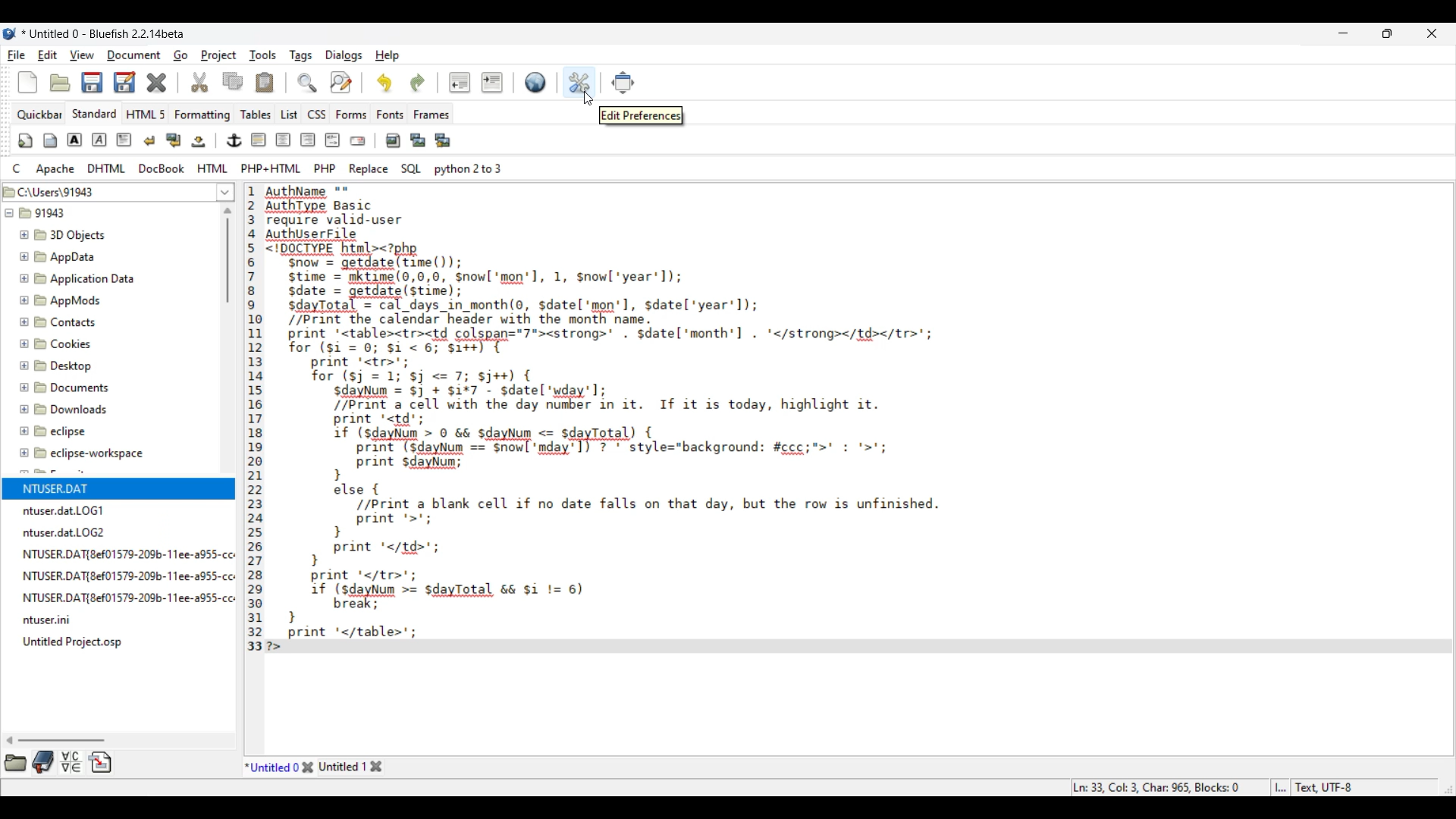 The width and height of the screenshot is (1456, 819). Describe the element at coordinates (232, 81) in the screenshot. I see `Copy` at that location.